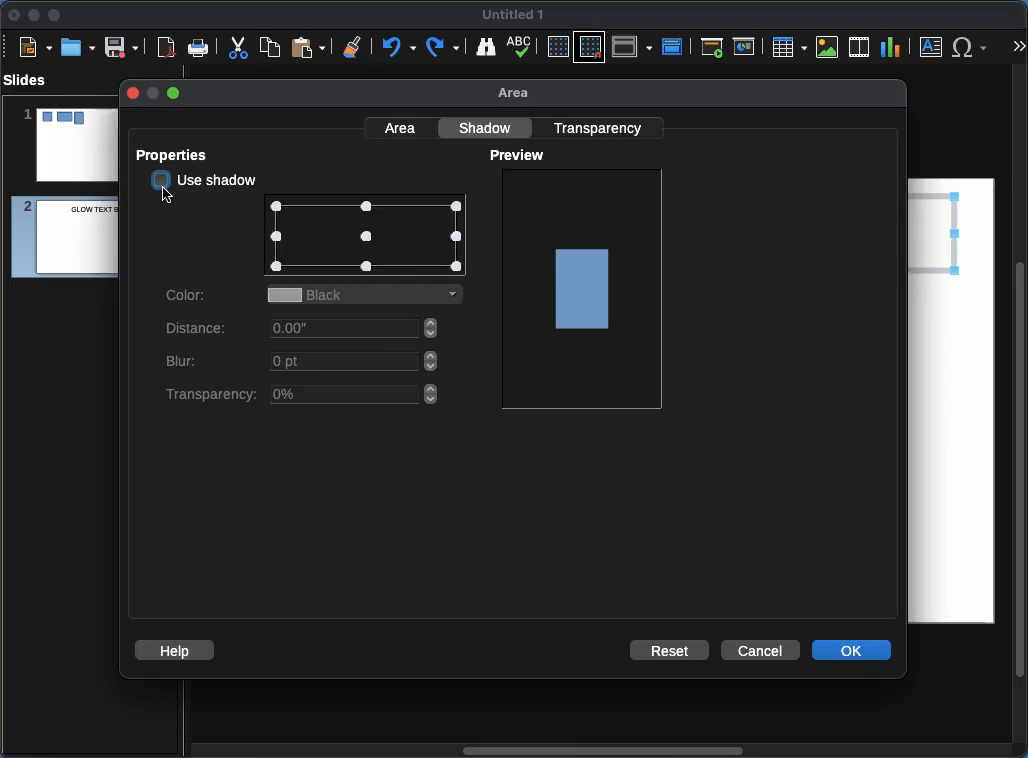 The image size is (1028, 758). I want to click on Reset, so click(671, 649).